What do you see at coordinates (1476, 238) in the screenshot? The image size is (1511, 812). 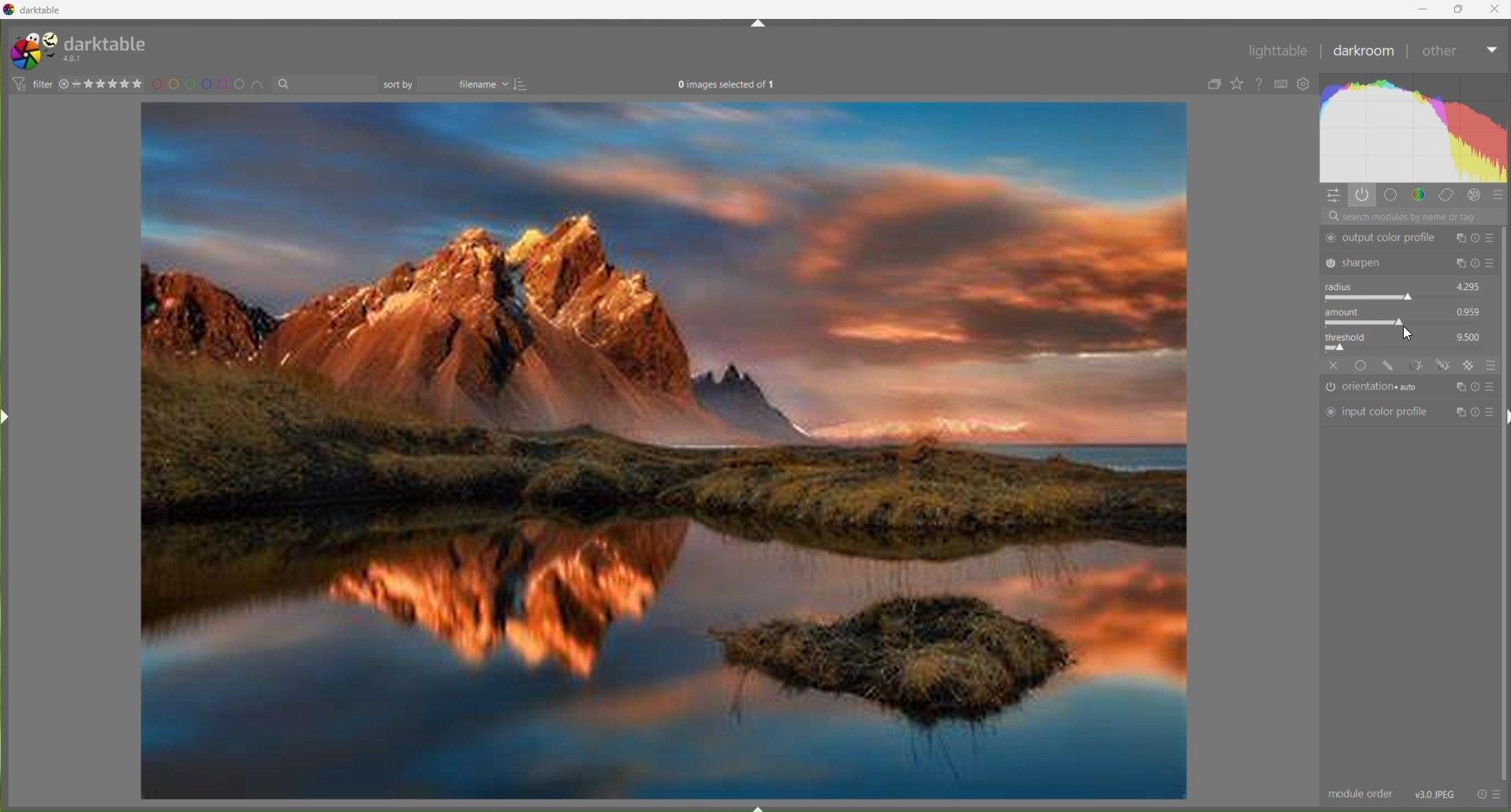 I see `copy, reset and presets` at bounding box center [1476, 238].